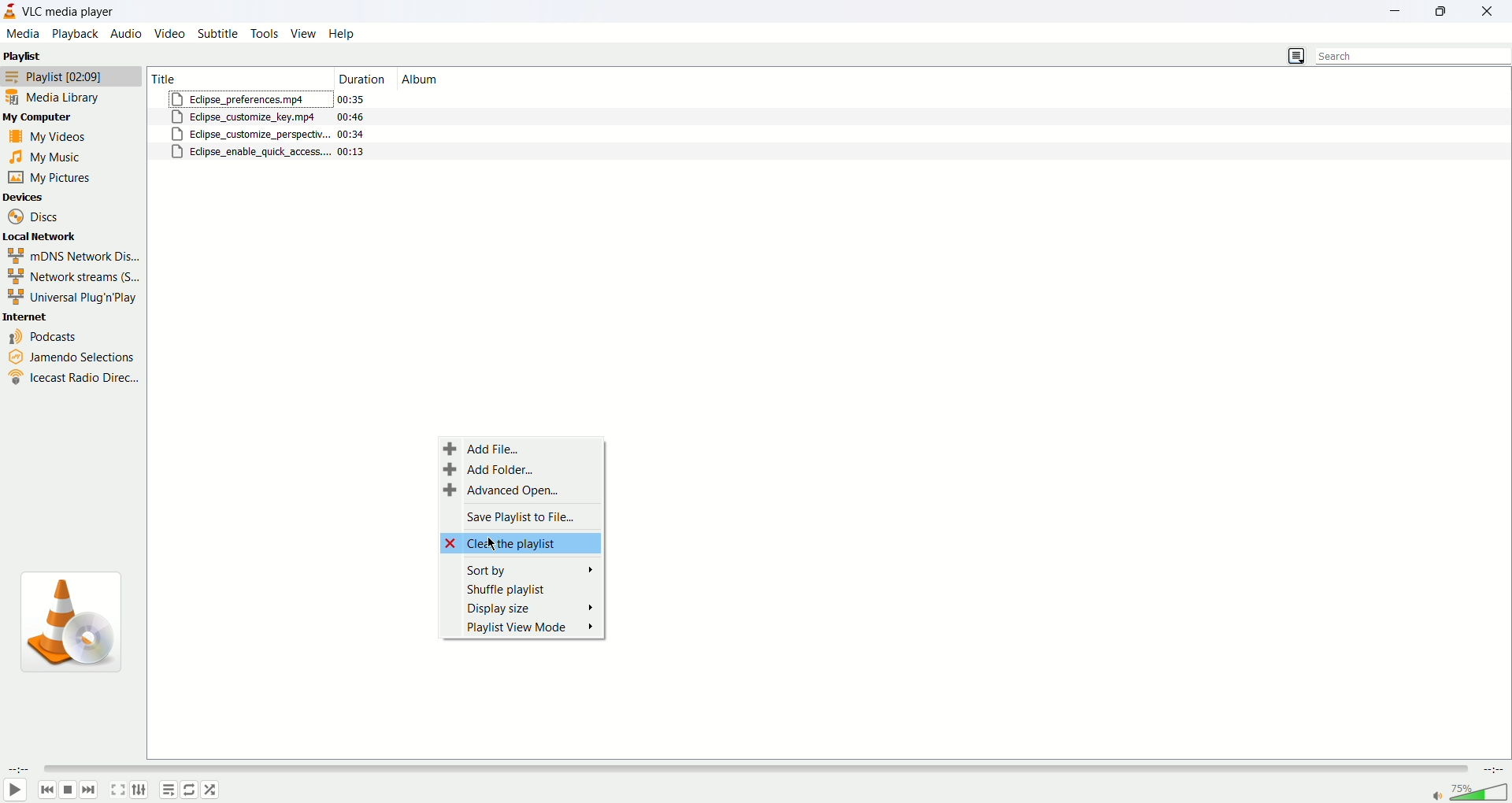 This screenshot has height=803, width=1512. What do you see at coordinates (516, 515) in the screenshot?
I see `save playlist to file` at bounding box center [516, 515].